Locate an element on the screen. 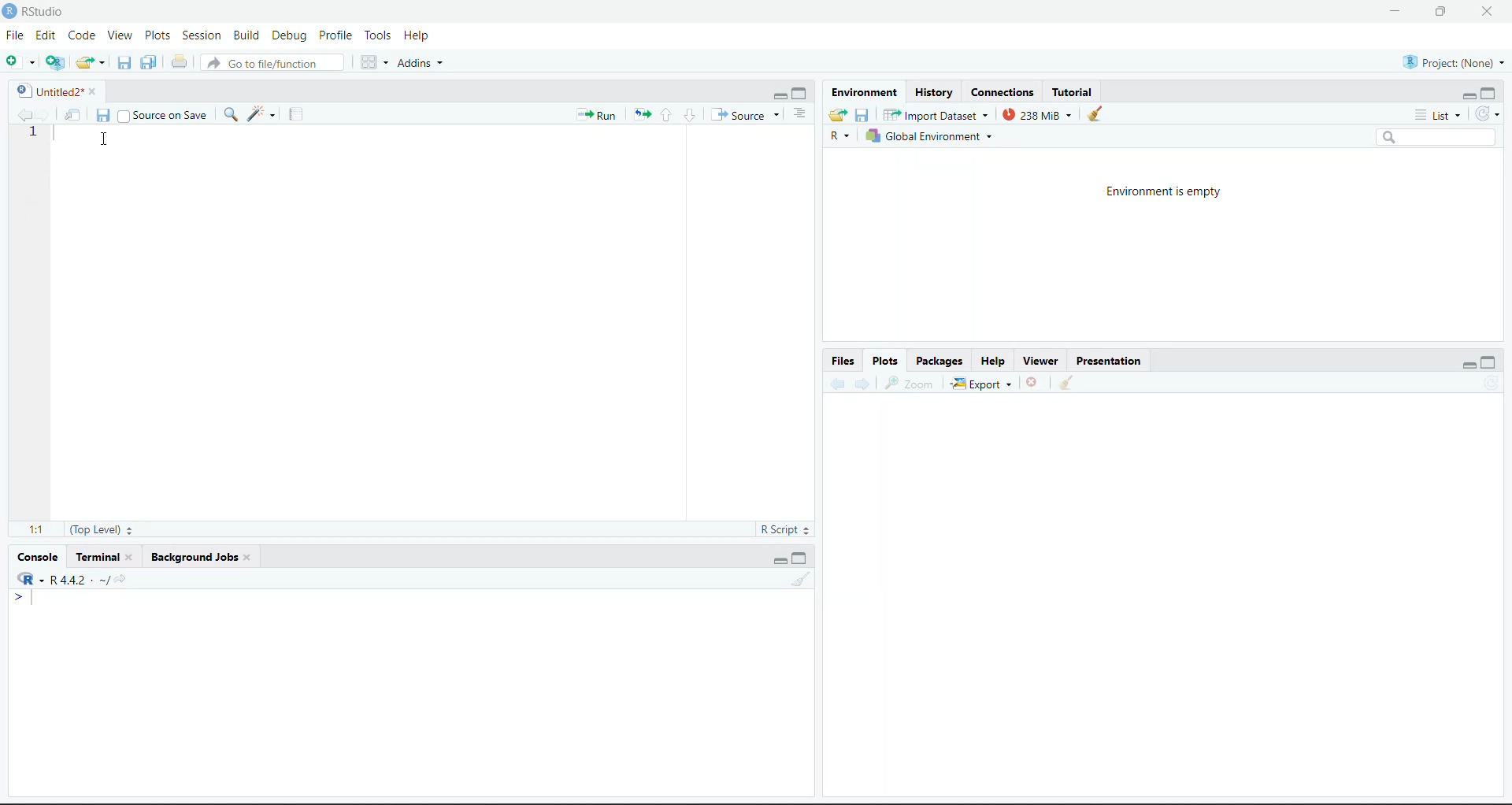 This screenshot has height=805, width=1512. 238 Mib is located at coordinates (1037, 114).